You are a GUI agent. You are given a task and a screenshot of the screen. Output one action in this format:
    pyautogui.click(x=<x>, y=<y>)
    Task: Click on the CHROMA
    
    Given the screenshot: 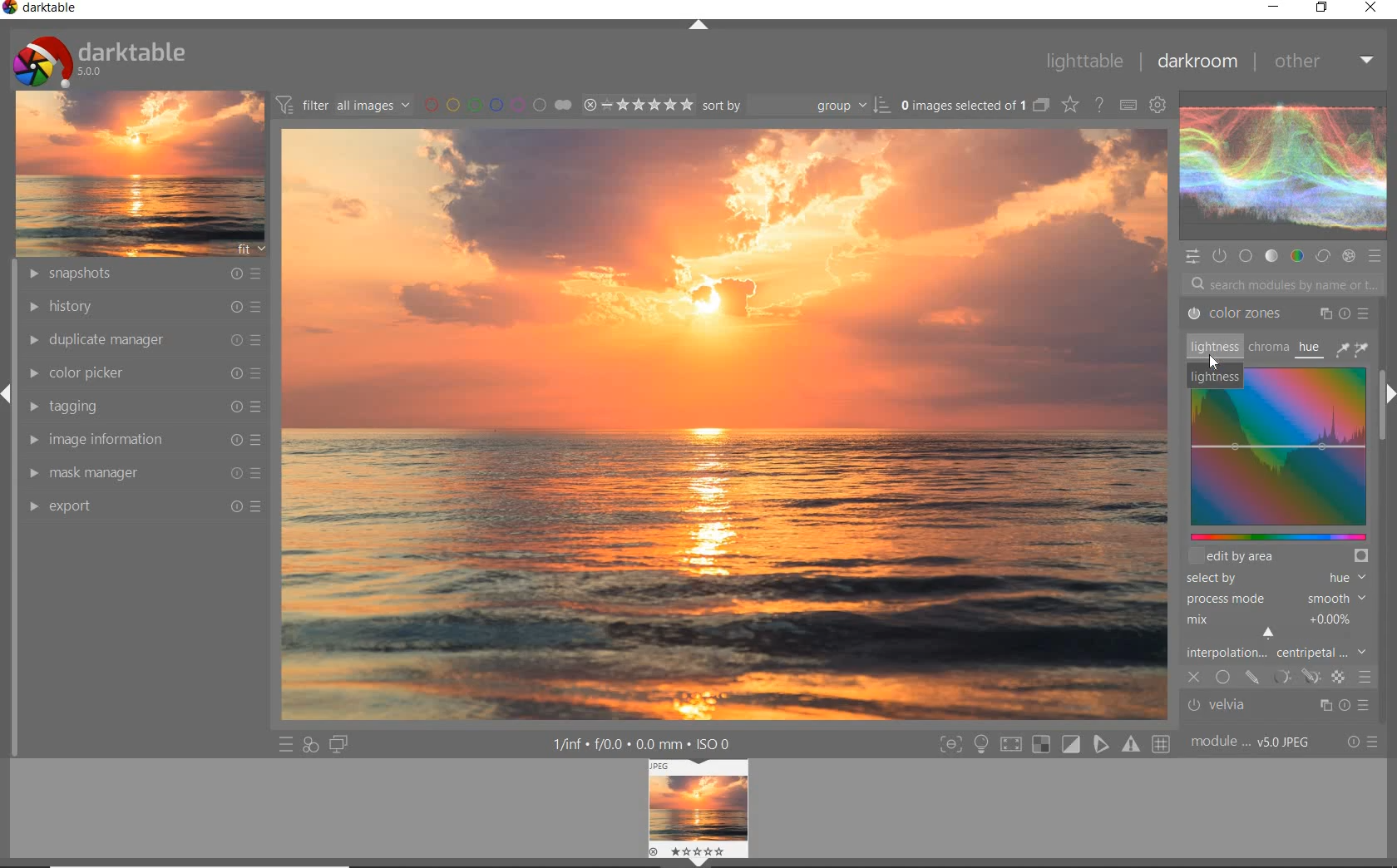 What is the action you would take?
    pyautogui.click(x=1267, y=348)
    